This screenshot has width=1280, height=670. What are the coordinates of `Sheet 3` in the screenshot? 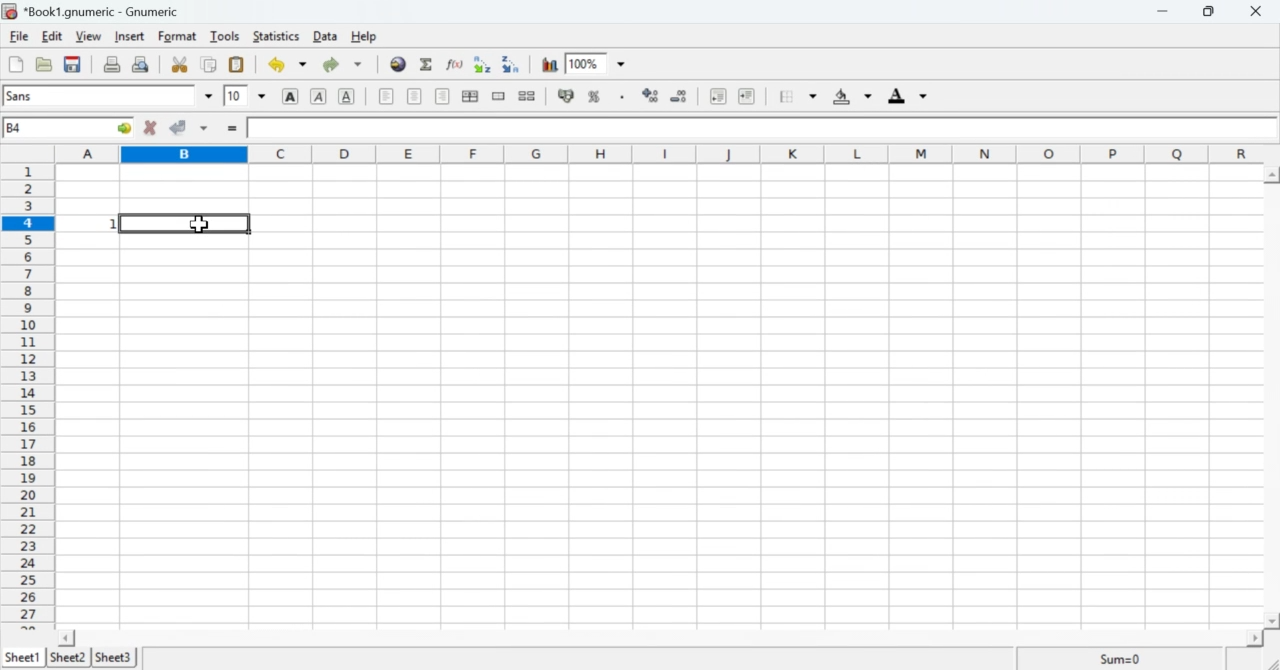 It's located at (115, 658).